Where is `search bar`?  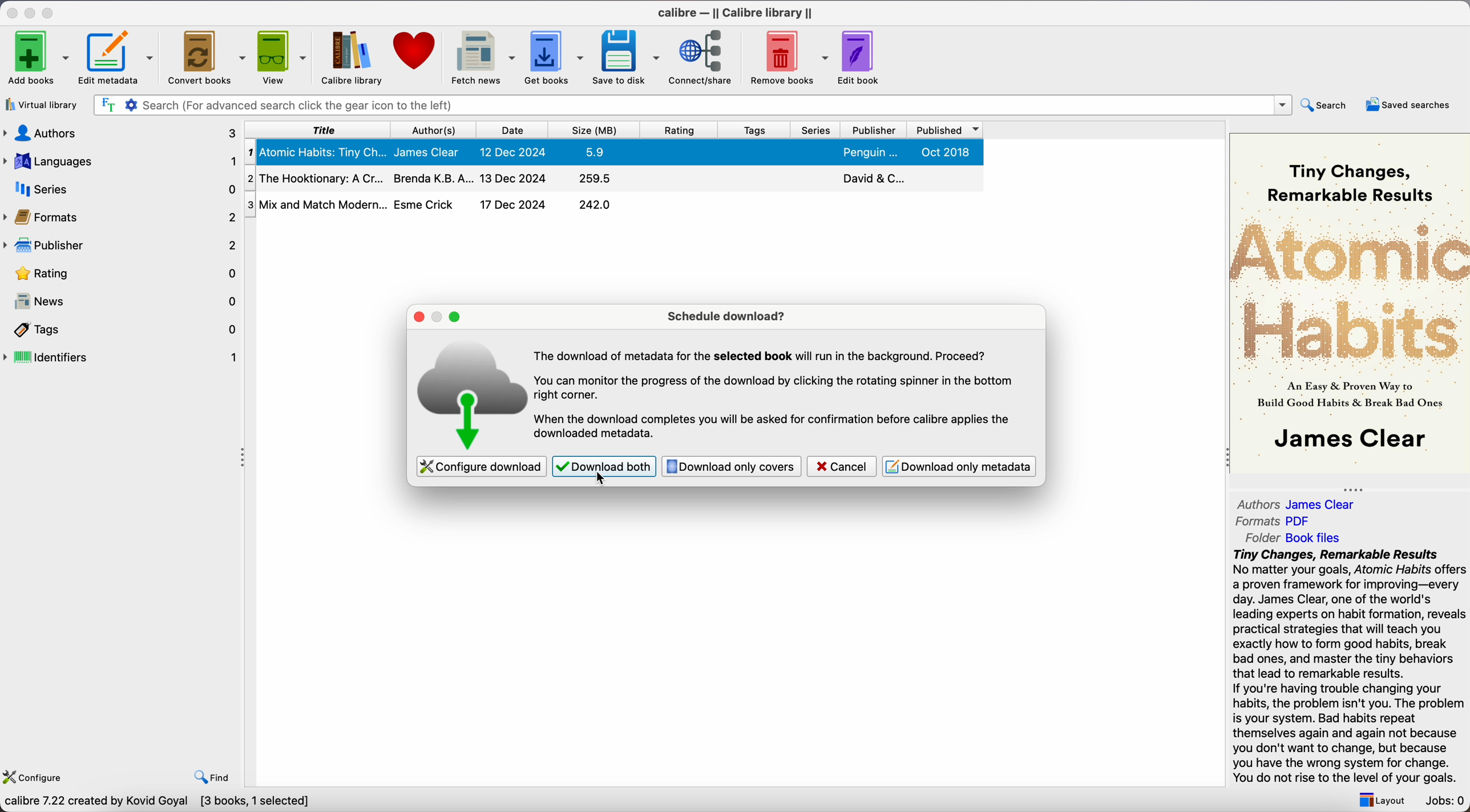 search bar is located at coordinates (691, 106).